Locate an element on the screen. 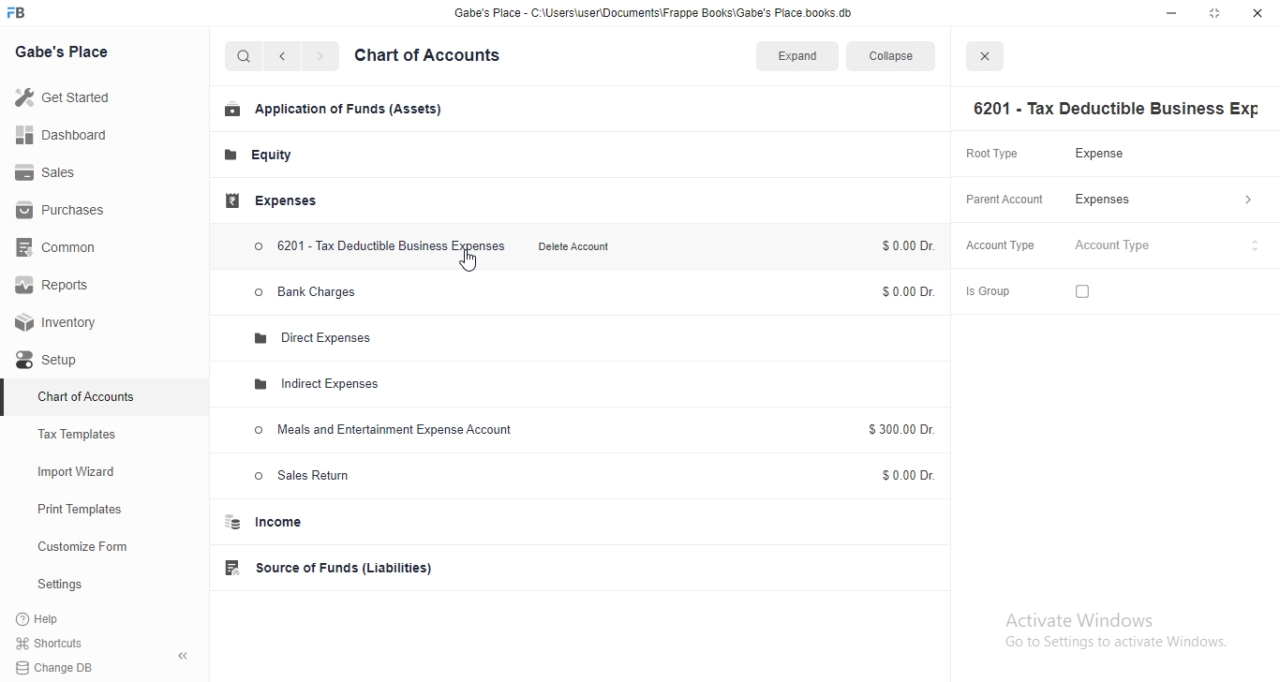 This screenshot has height=682, width=1280. Gabe's Place is located at coordinates (70, 57).